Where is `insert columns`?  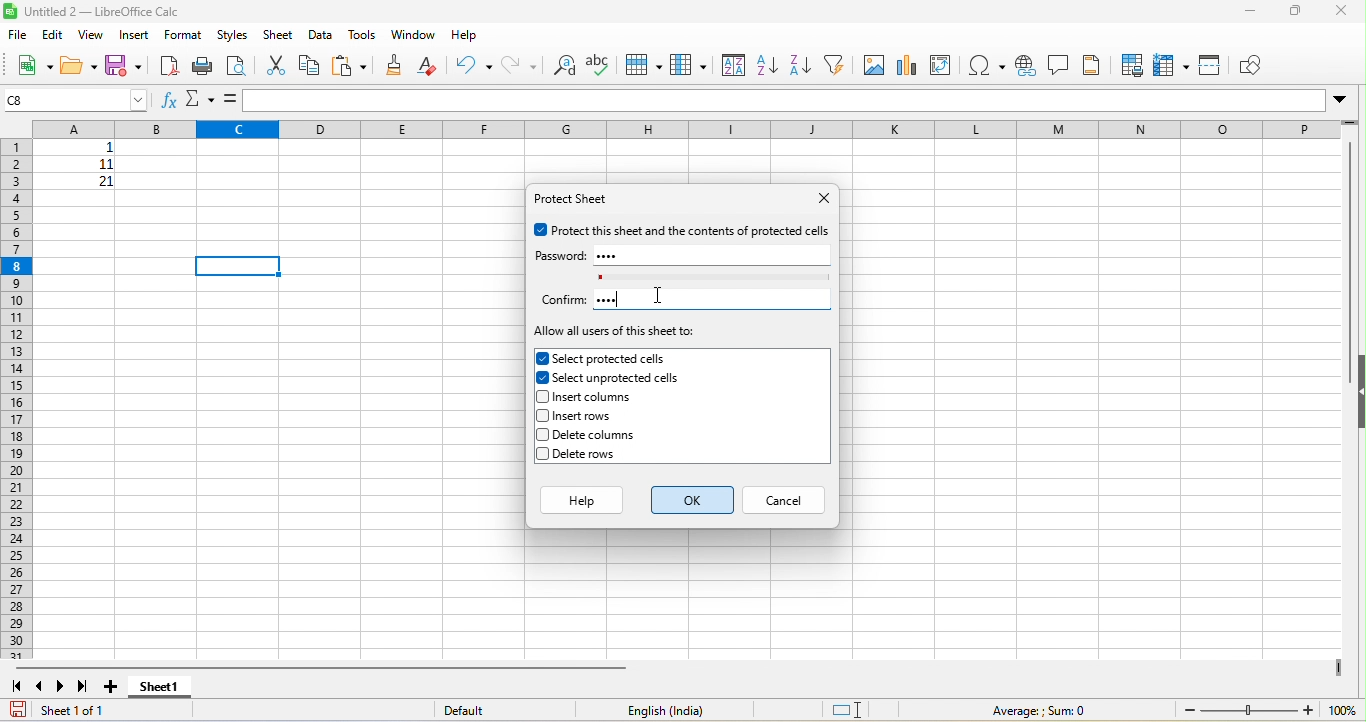 insert columns is located at coordinates (608, 395).